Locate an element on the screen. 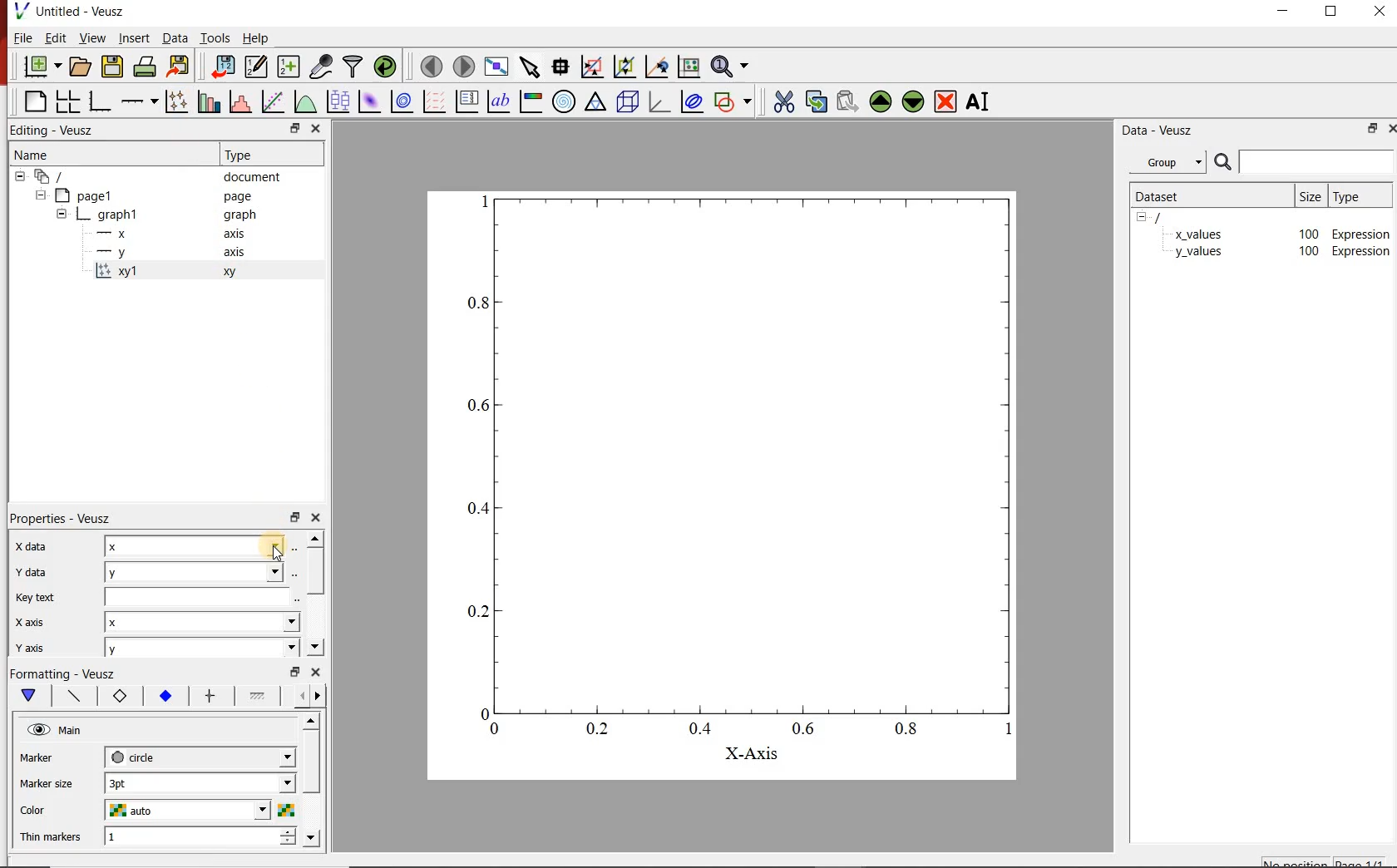 The image size is (1397, 868). 1 is located at coordinates (203, 835).